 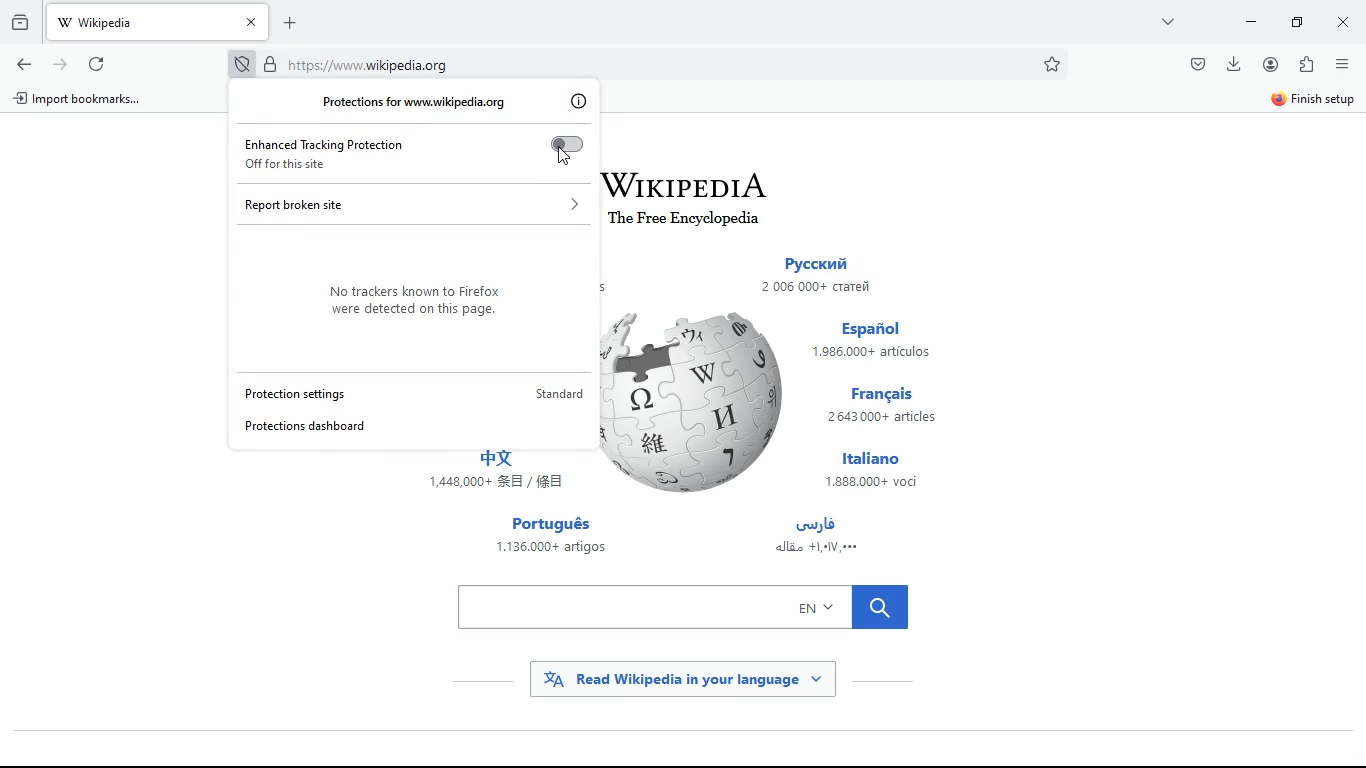 I want to click on profile, so click(x=1270, y=65).